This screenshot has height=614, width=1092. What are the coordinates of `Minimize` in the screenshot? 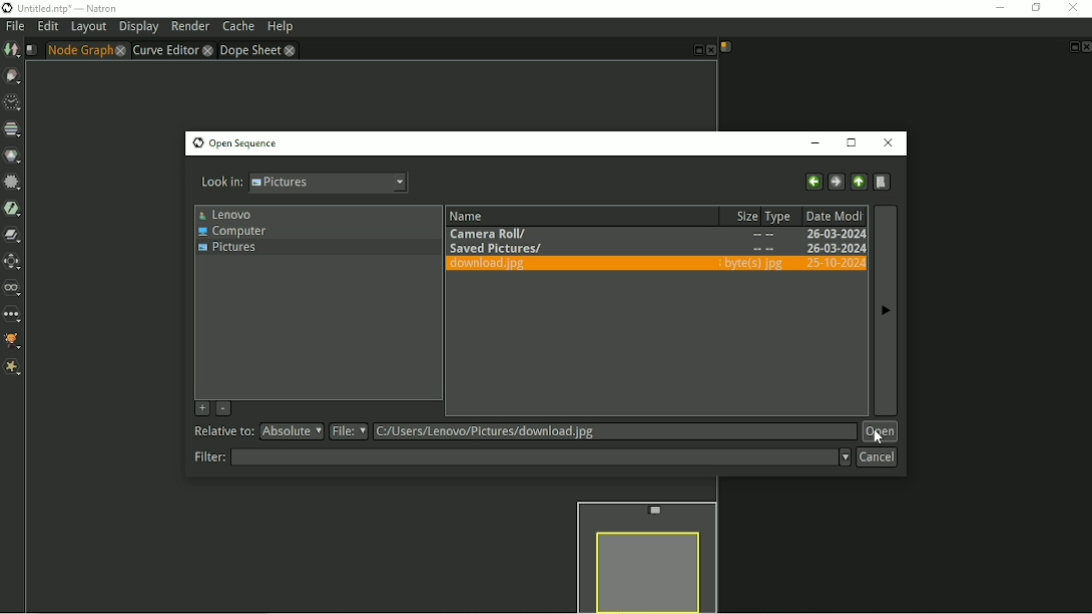 It's located at (818, 144).